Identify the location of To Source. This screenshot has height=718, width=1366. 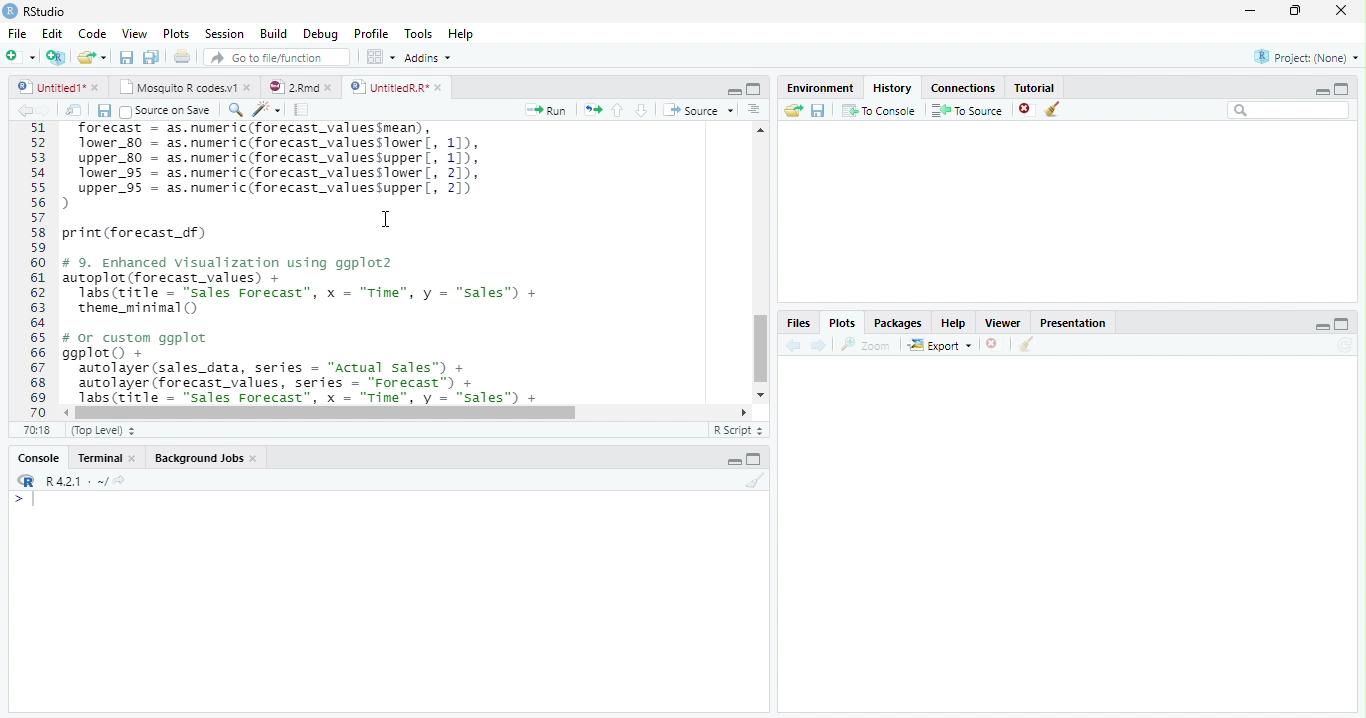
(967, 109).